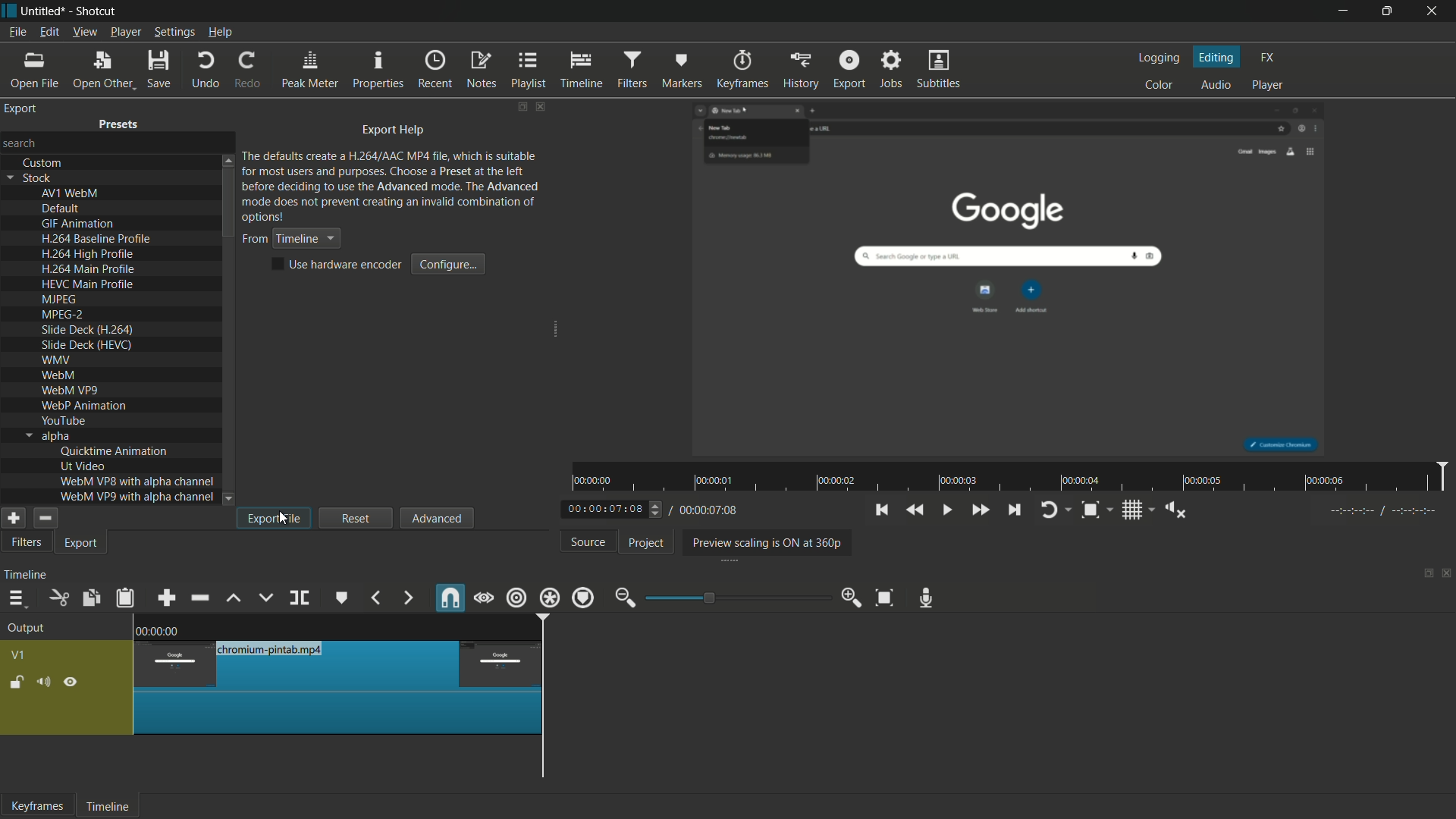 The image size is (1456, 819). I want to click on webm vp8 with alpha channel, so click(136, 482).